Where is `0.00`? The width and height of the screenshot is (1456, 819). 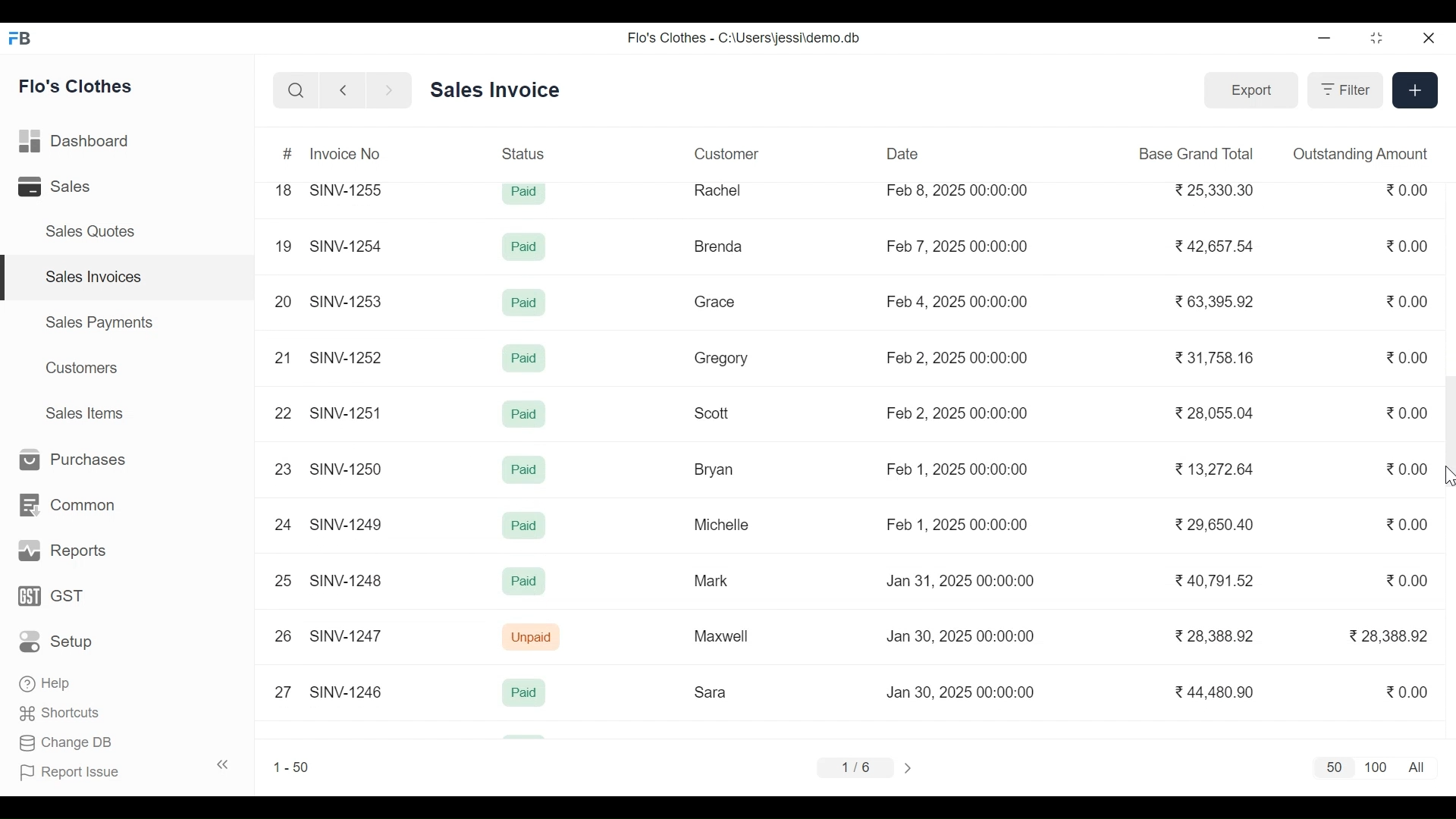
0.00 is located at coordinates (1409, 469).